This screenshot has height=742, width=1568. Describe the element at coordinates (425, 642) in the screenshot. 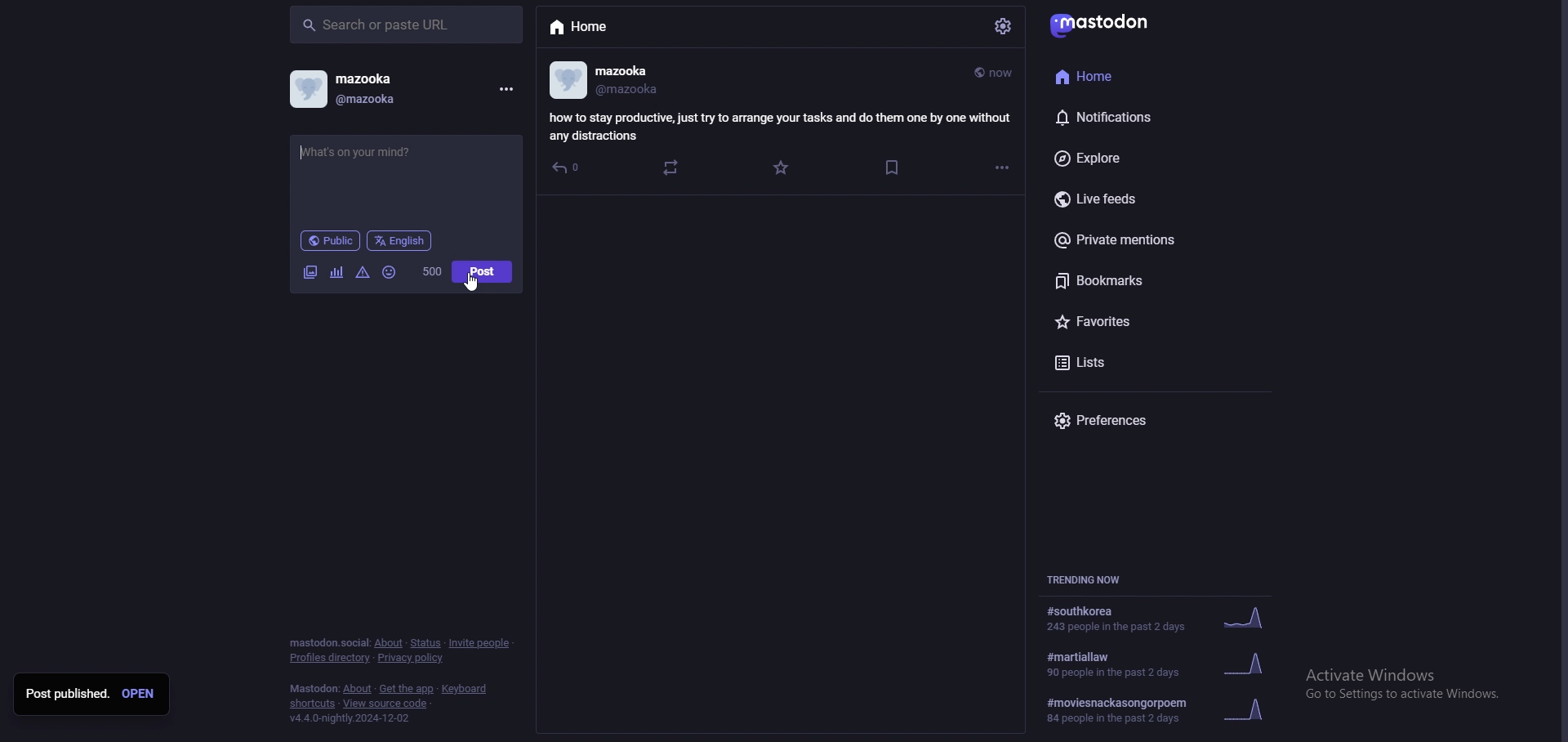

I see `Status` at that location.